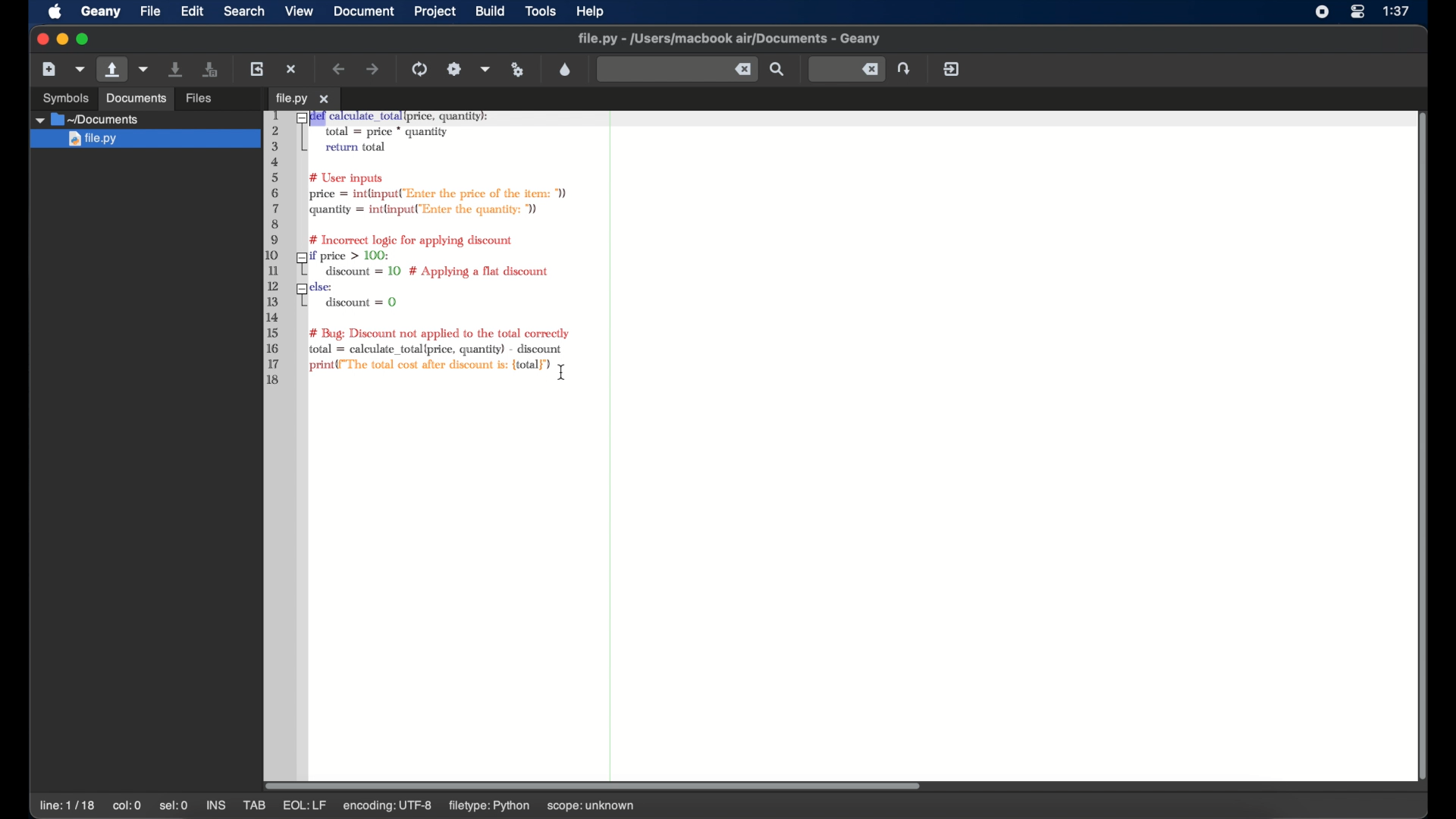 The width and height of the screenshot is (1456, 819). What do you see at coordinates (244, 11) in the screenshot?
I see `search` at bounding box center [244, 11].